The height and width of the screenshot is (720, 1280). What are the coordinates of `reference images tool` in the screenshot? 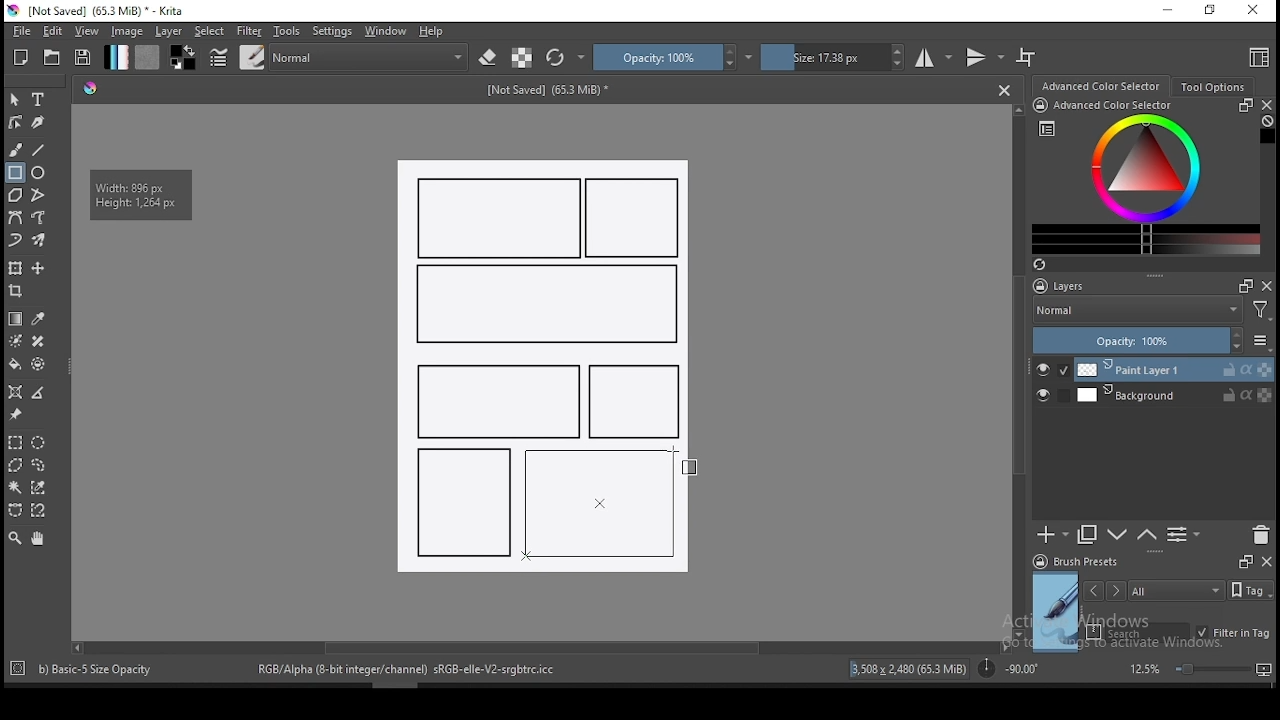 It's located at (14, 415).